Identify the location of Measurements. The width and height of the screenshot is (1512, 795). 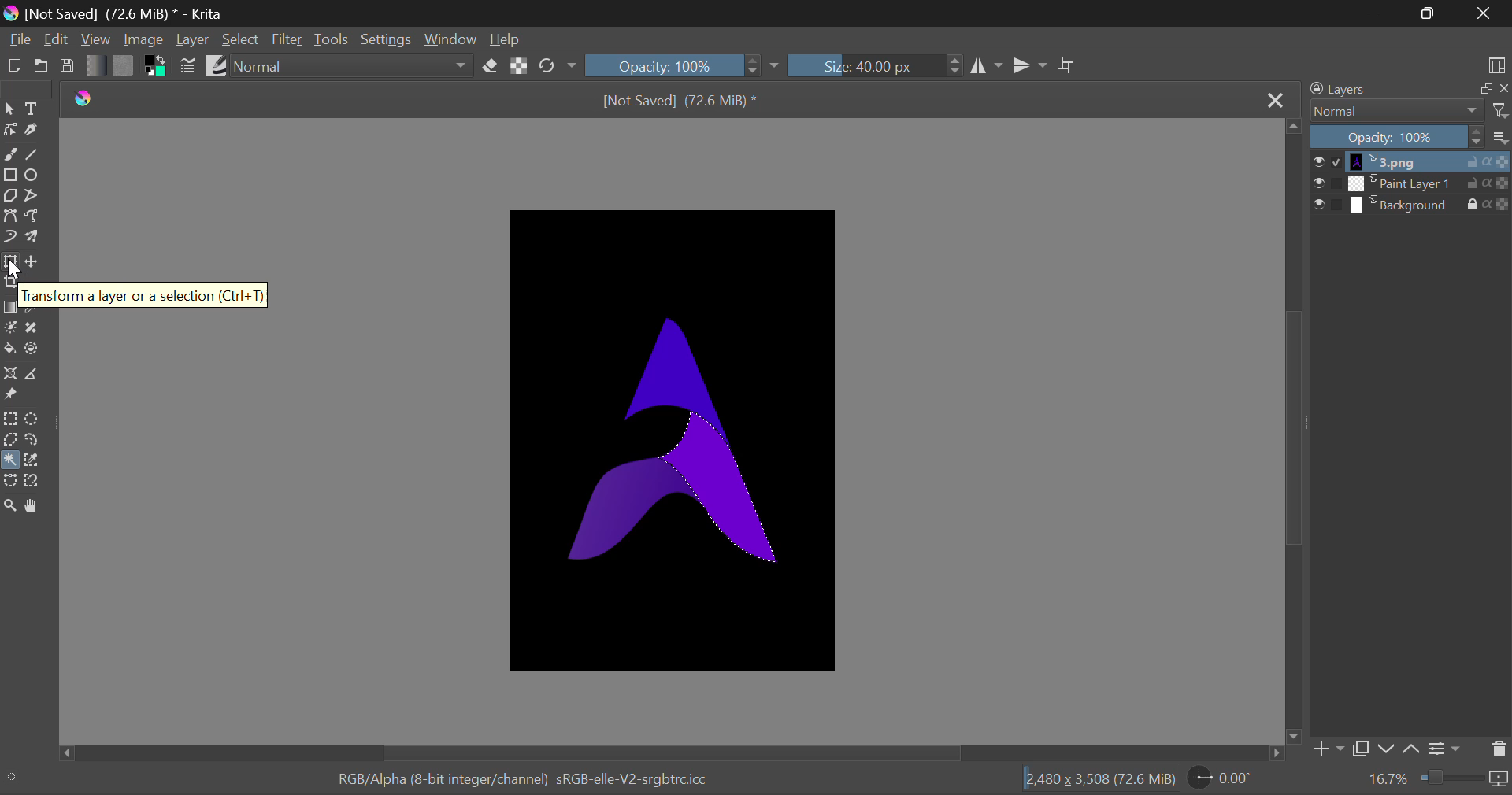
(37, 374).